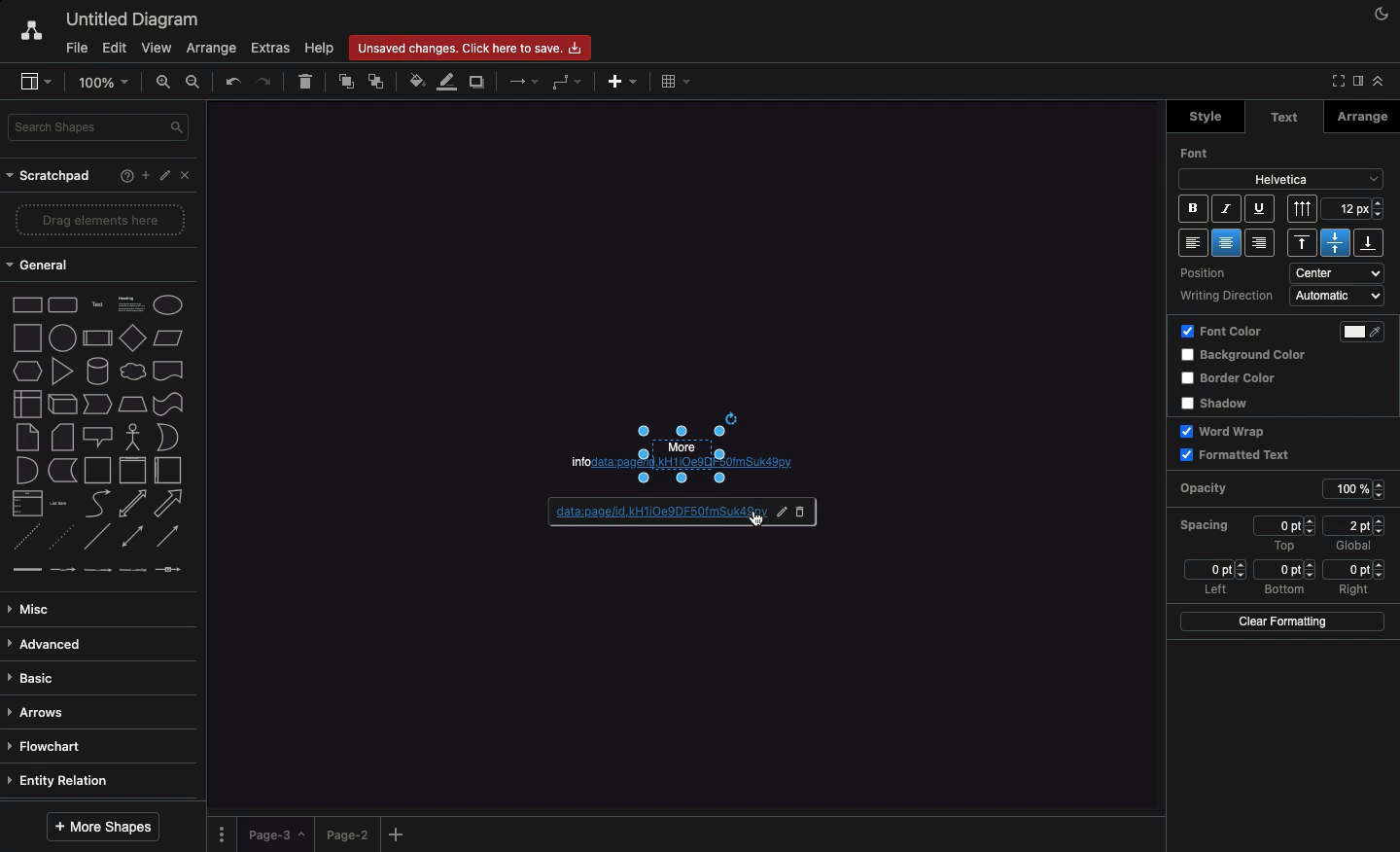 The height and width of the screenshot is (852, 1400). I want to click on connector with 3 labels, so click(133, 570).